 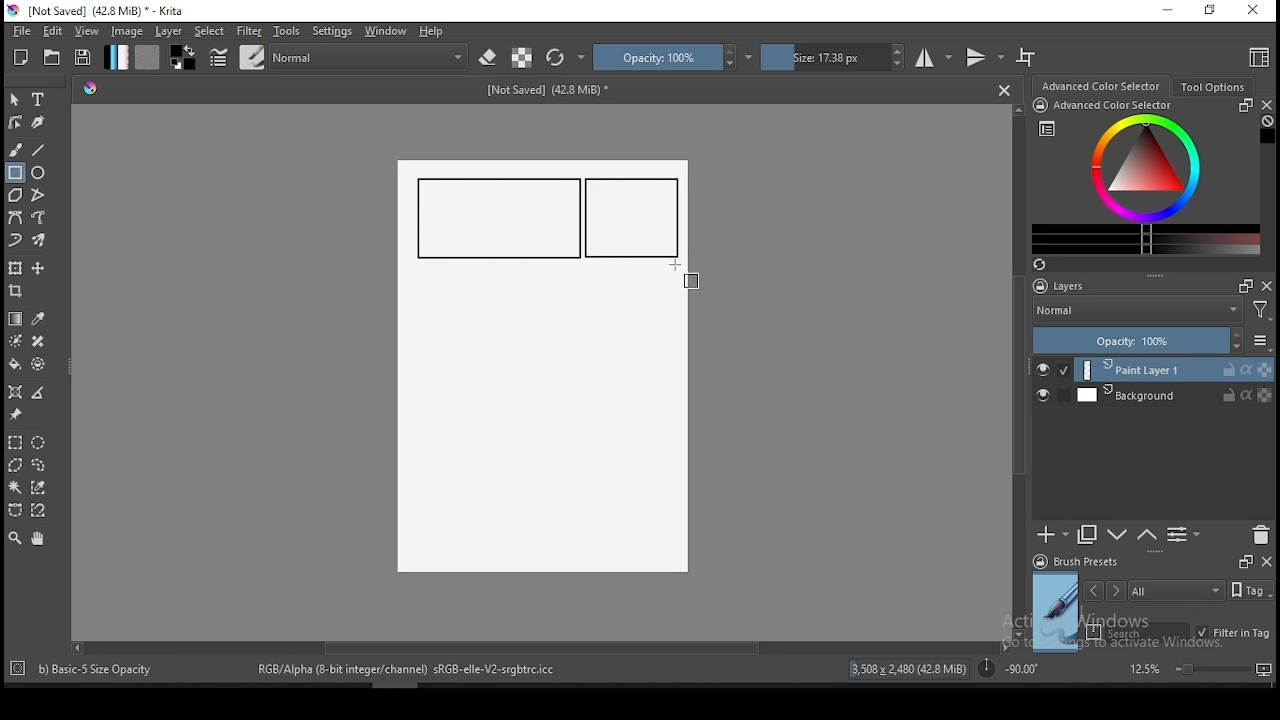 I want to click on Clear, so click(x=1267, y=123).